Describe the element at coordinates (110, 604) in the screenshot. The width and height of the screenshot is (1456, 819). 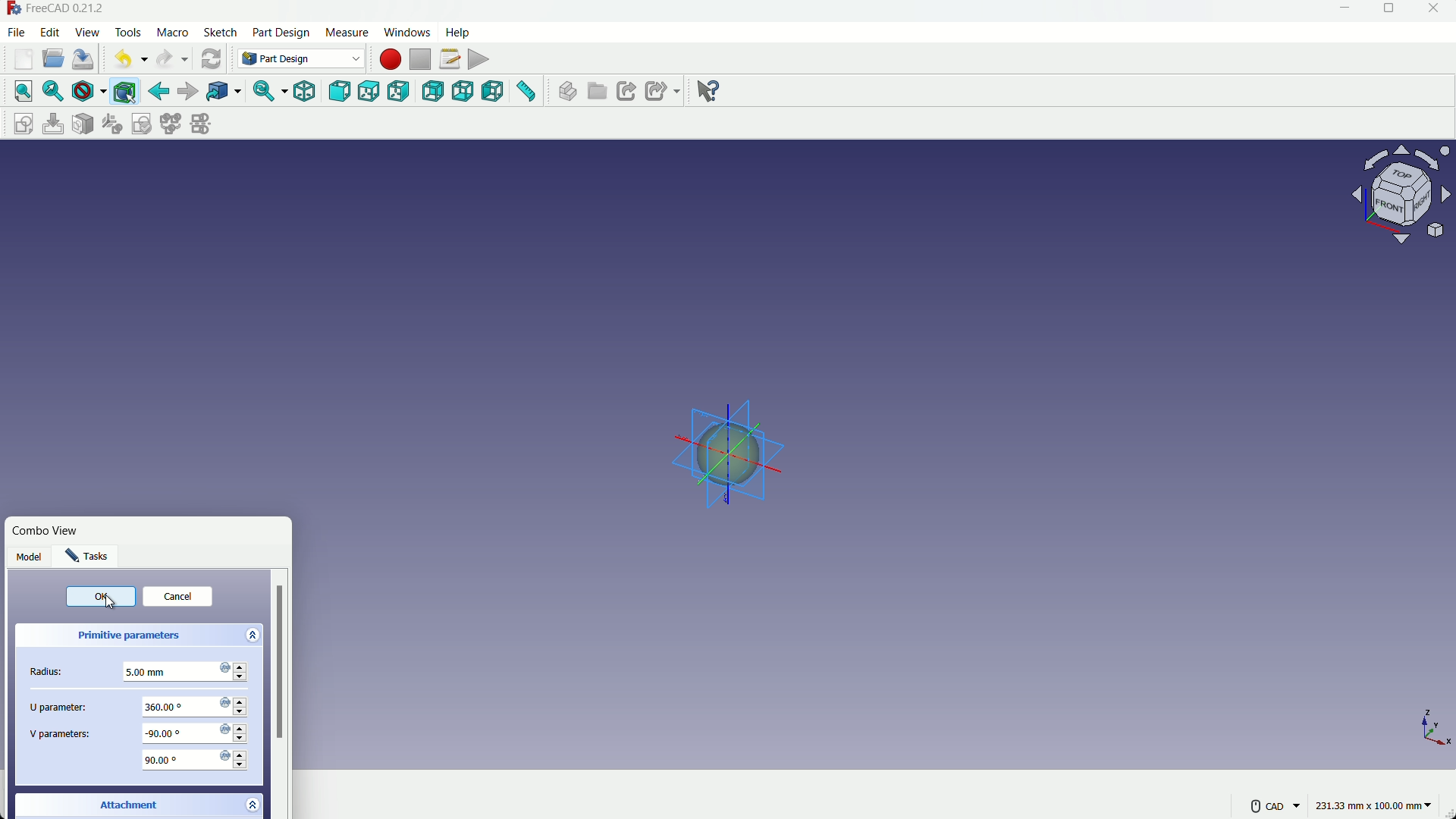
I see `cursor` at that location.